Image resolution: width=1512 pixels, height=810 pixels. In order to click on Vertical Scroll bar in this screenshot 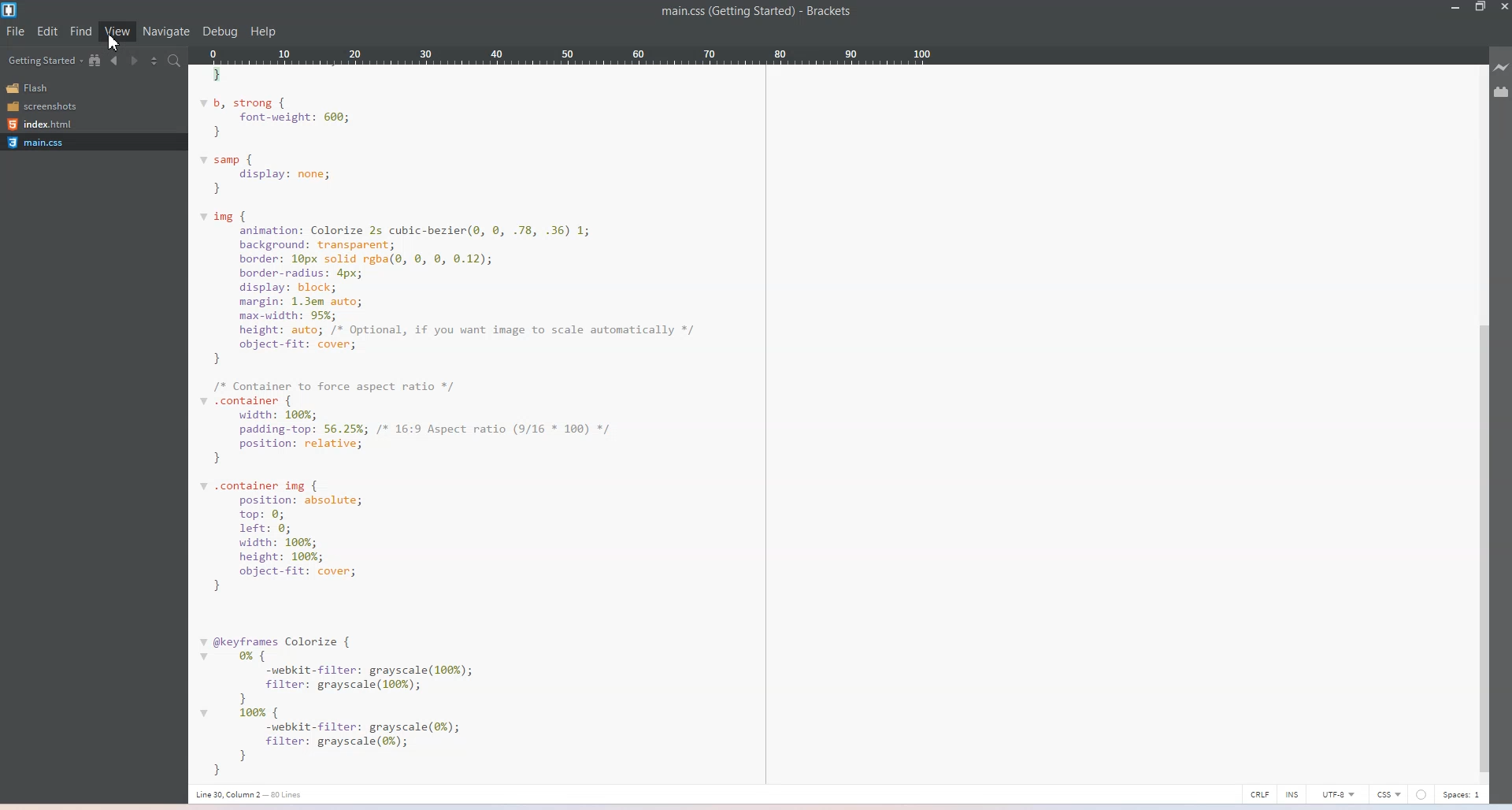, I will do `click(1482, 550)`.